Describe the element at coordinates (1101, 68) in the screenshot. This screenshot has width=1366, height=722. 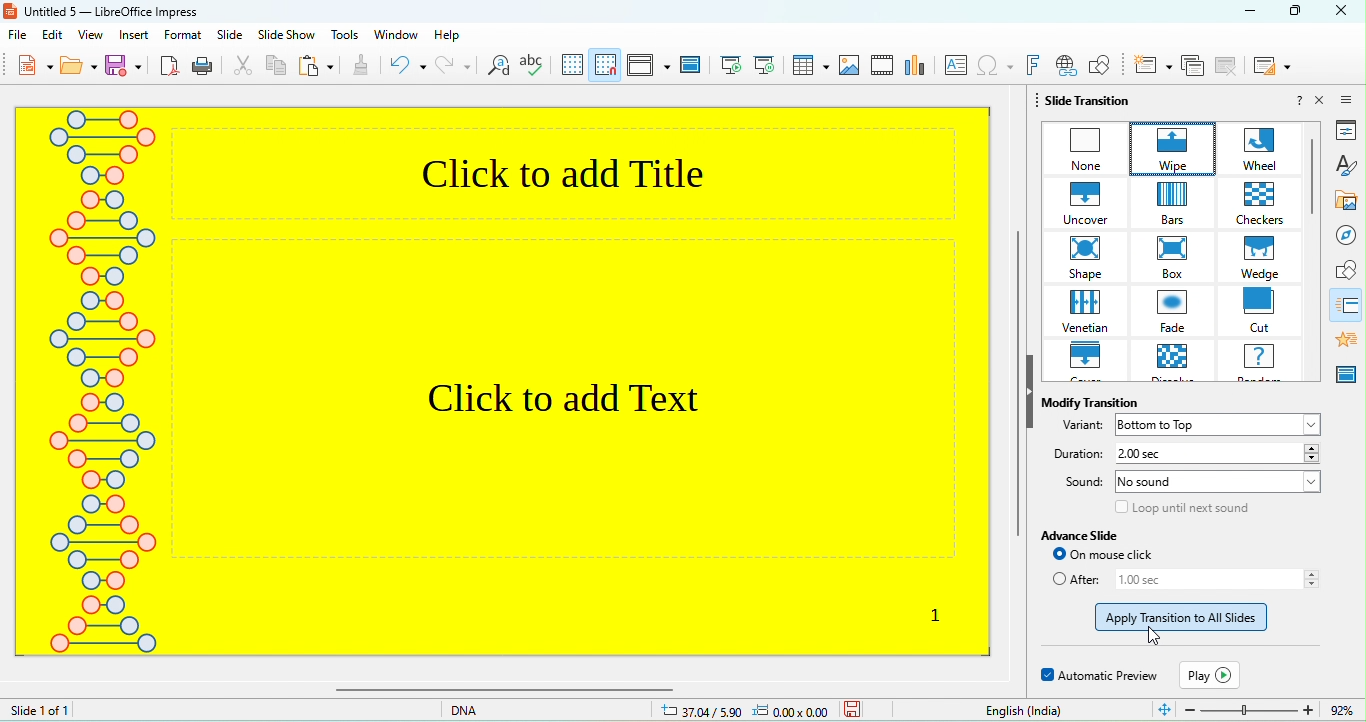
I see `show draw function ` at that location.